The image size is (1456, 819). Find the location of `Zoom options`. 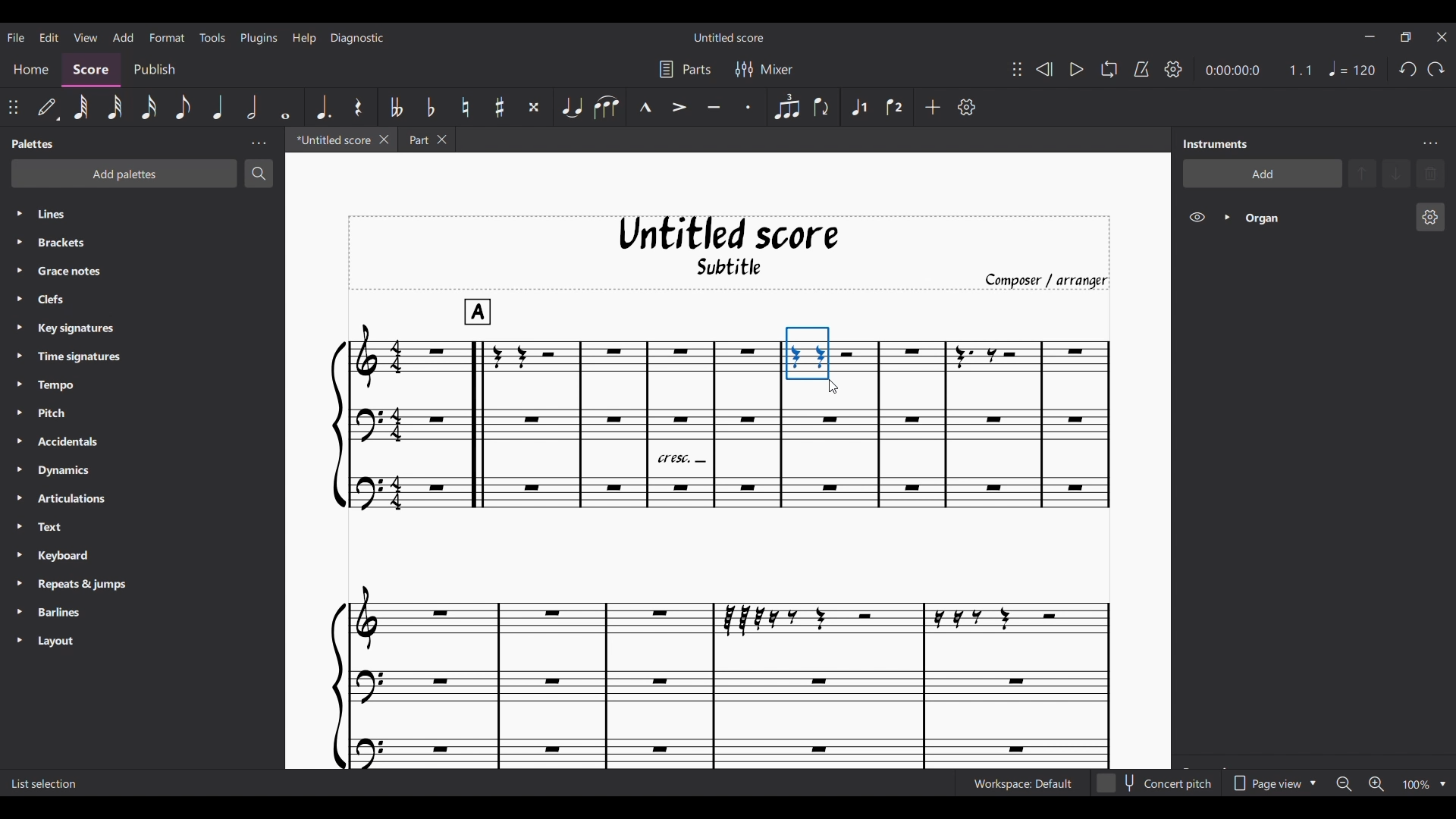

Zoom options is located at coordinates (1443, 784).